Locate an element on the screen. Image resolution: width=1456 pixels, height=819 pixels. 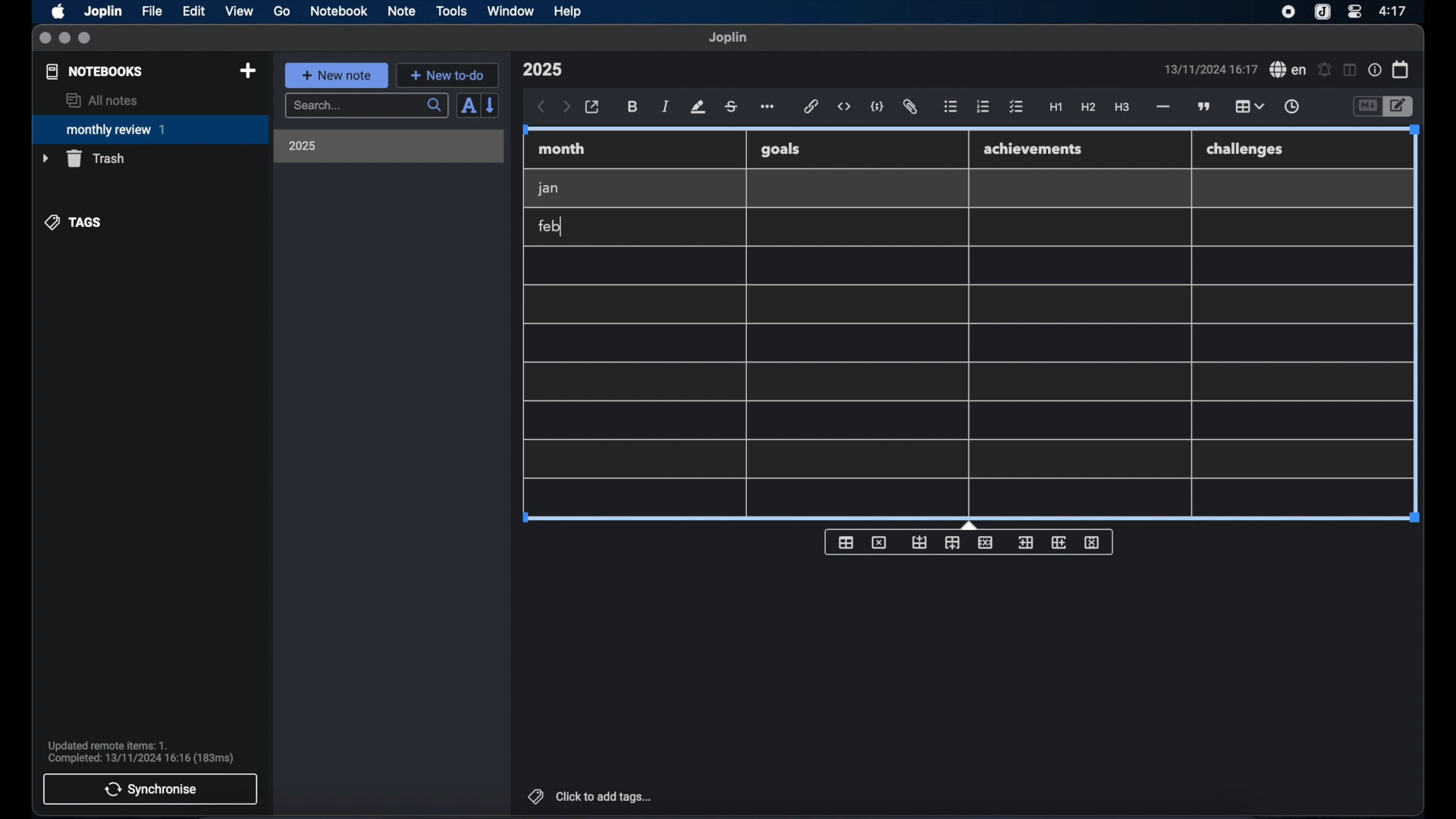
calendar is located at coordinates (1401, 69).